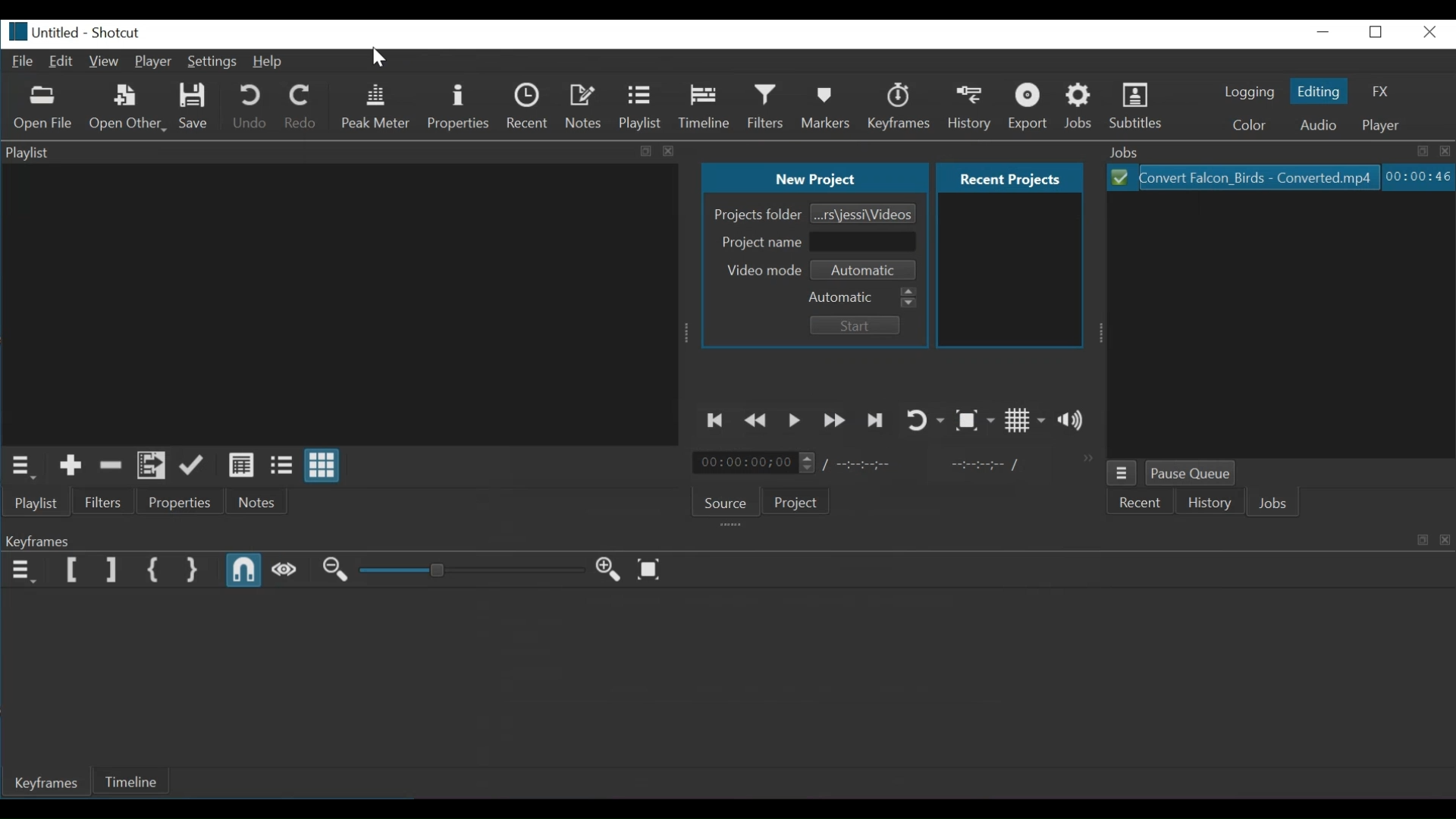 The width and height of the screenshot is (1456, 819). Describe the element at coordinates (472, 571) in the screenshot. I see `Adjust Zoom Keyframe` at that location.